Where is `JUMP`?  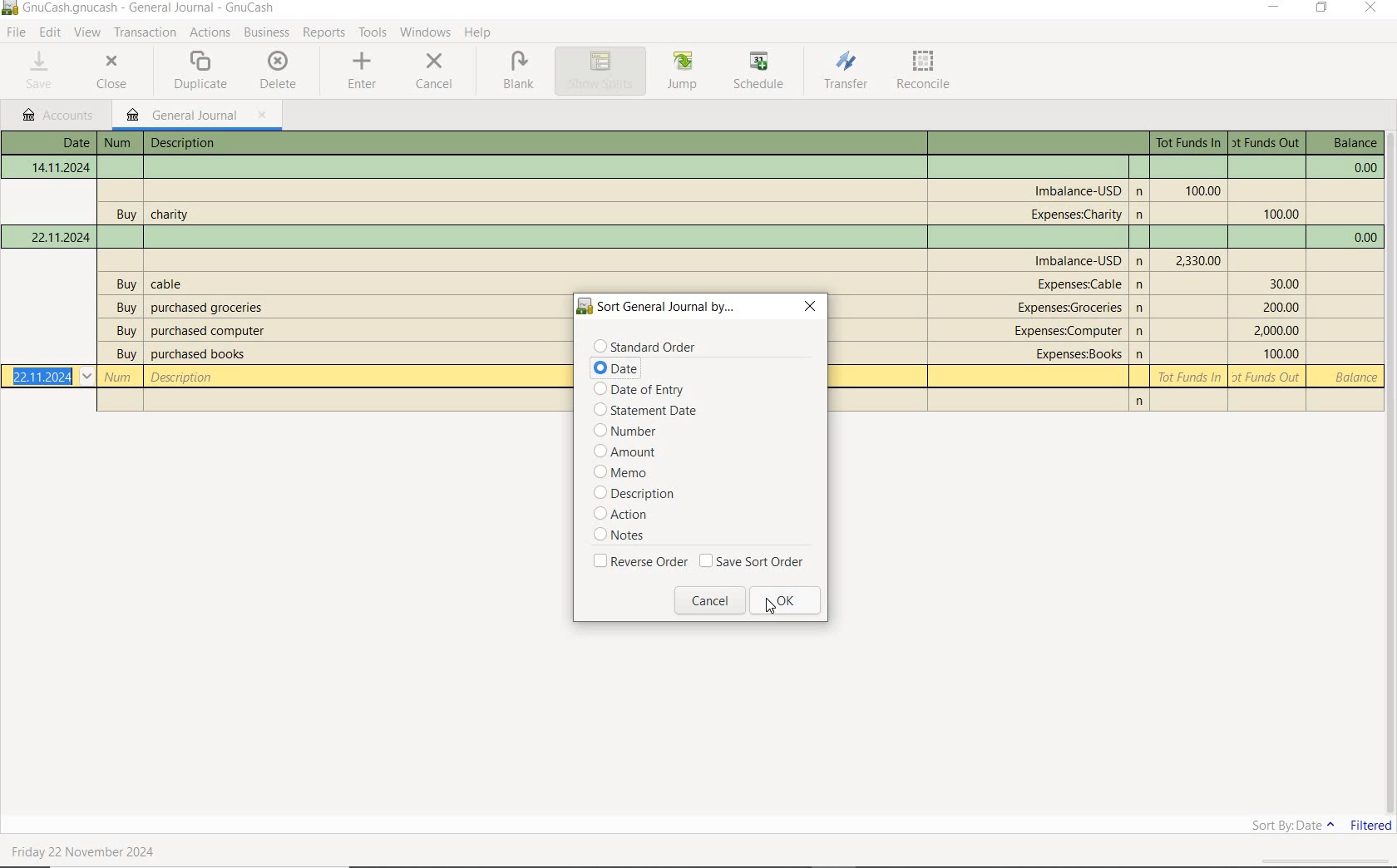 JUMP is located at coordinates (683, 70).